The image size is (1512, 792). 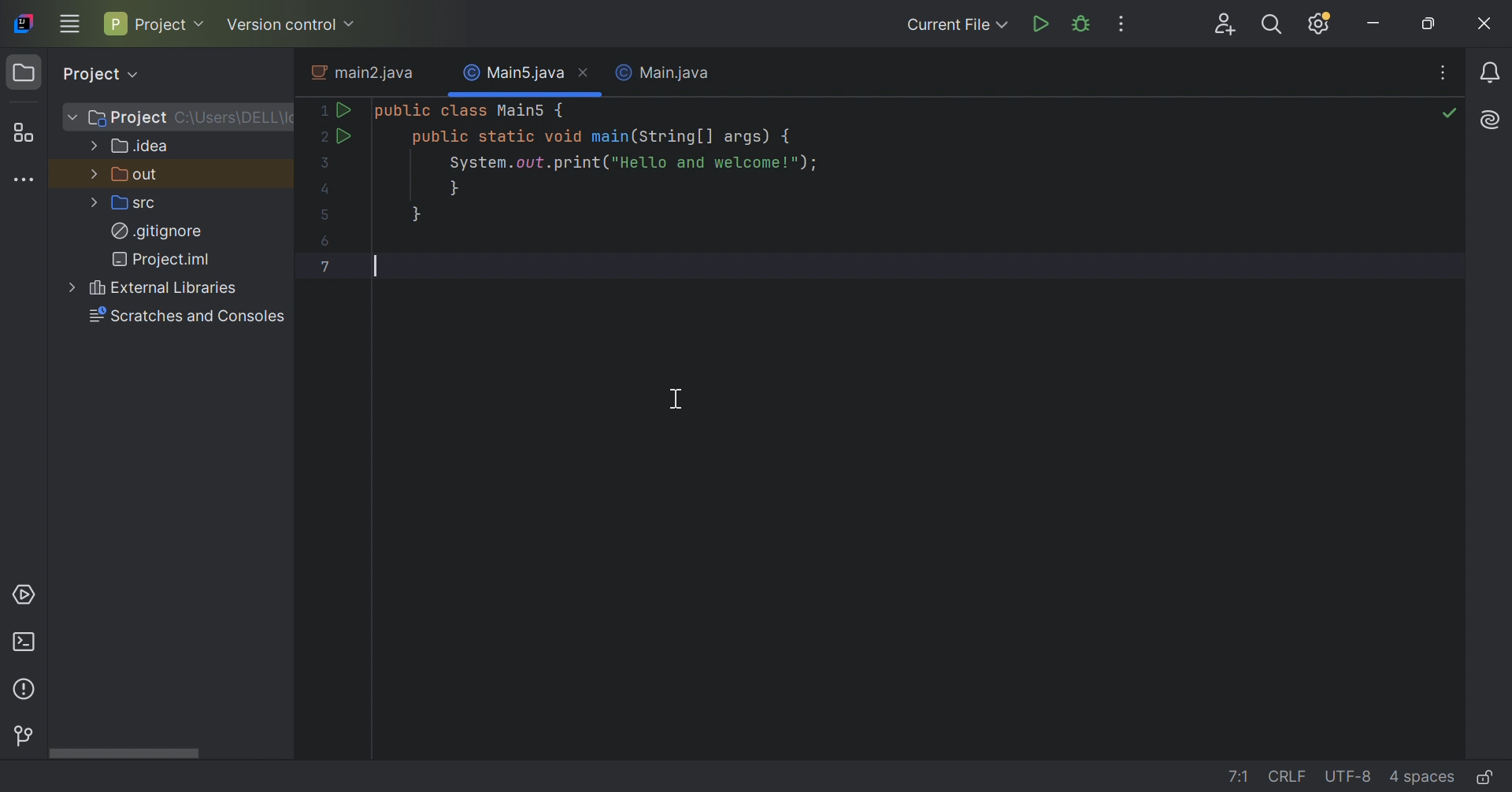 What do you see at coordinates (163, 257) in the screenshot?
I see `Project.iml` at bounding box center [163, 257].